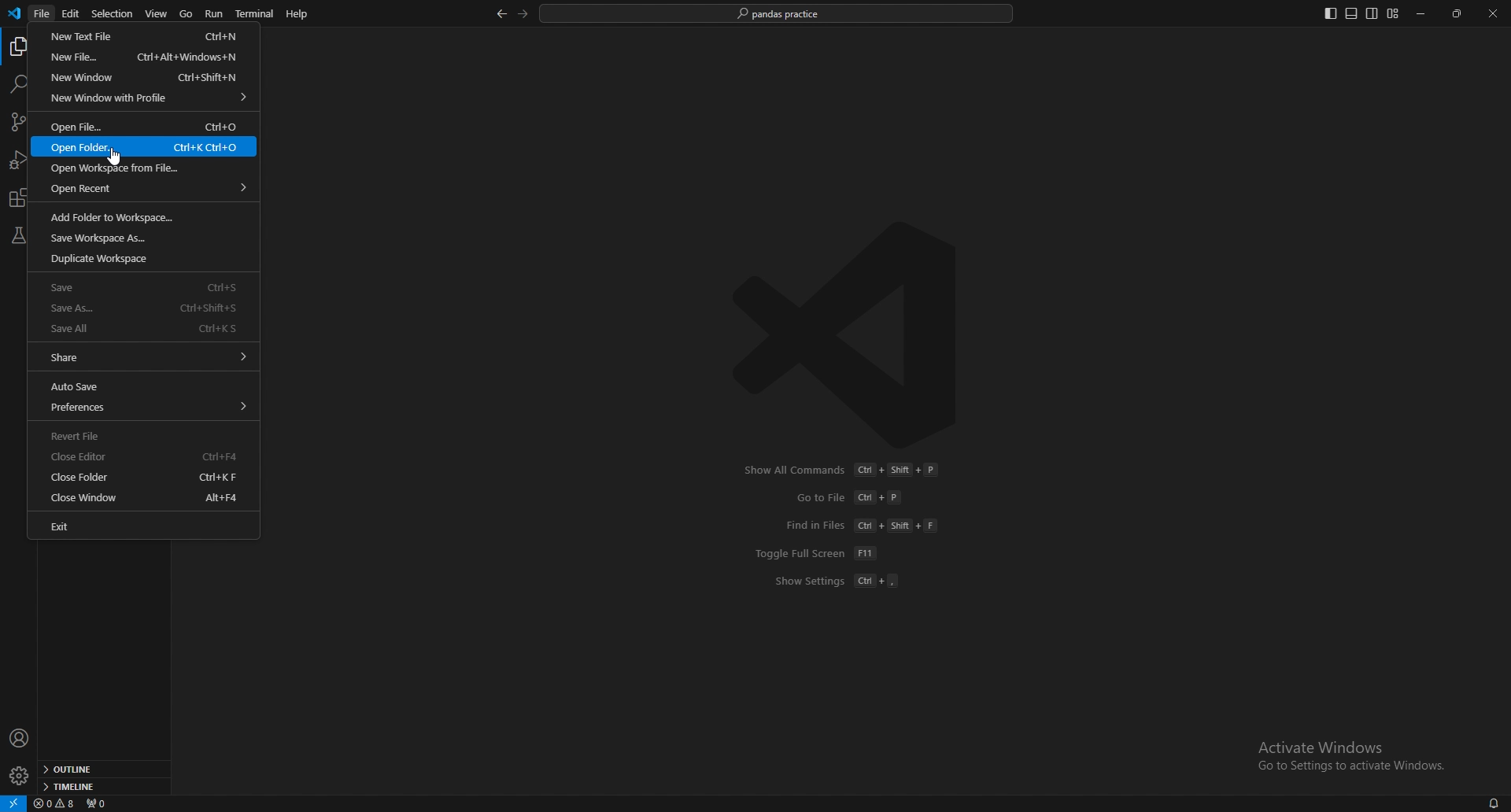  What do you see at coordinates (55, 803) in the screenshot?
I see `warnings` at bounding box center [55, 803].